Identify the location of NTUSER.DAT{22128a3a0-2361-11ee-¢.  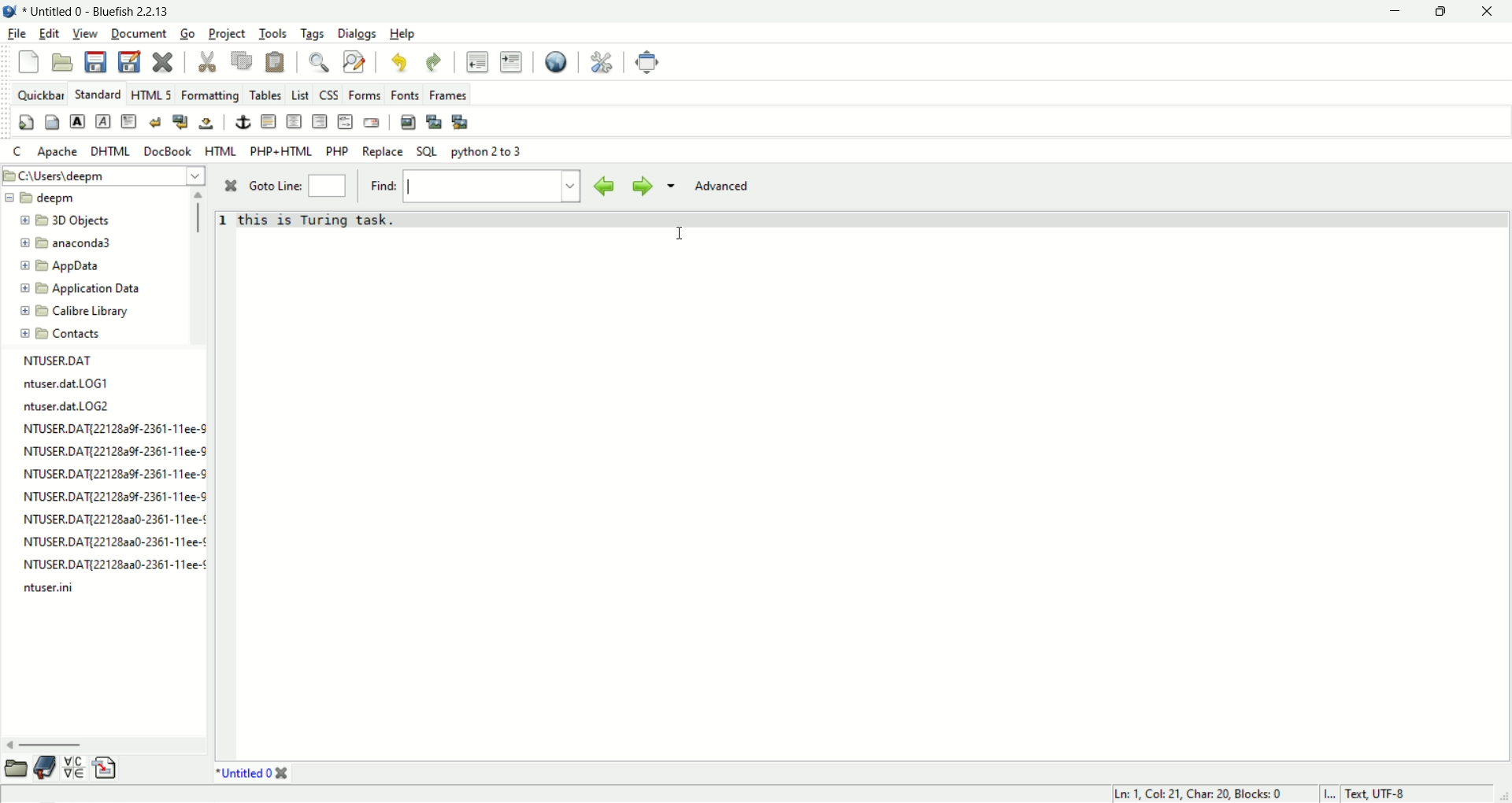
(108, 542).